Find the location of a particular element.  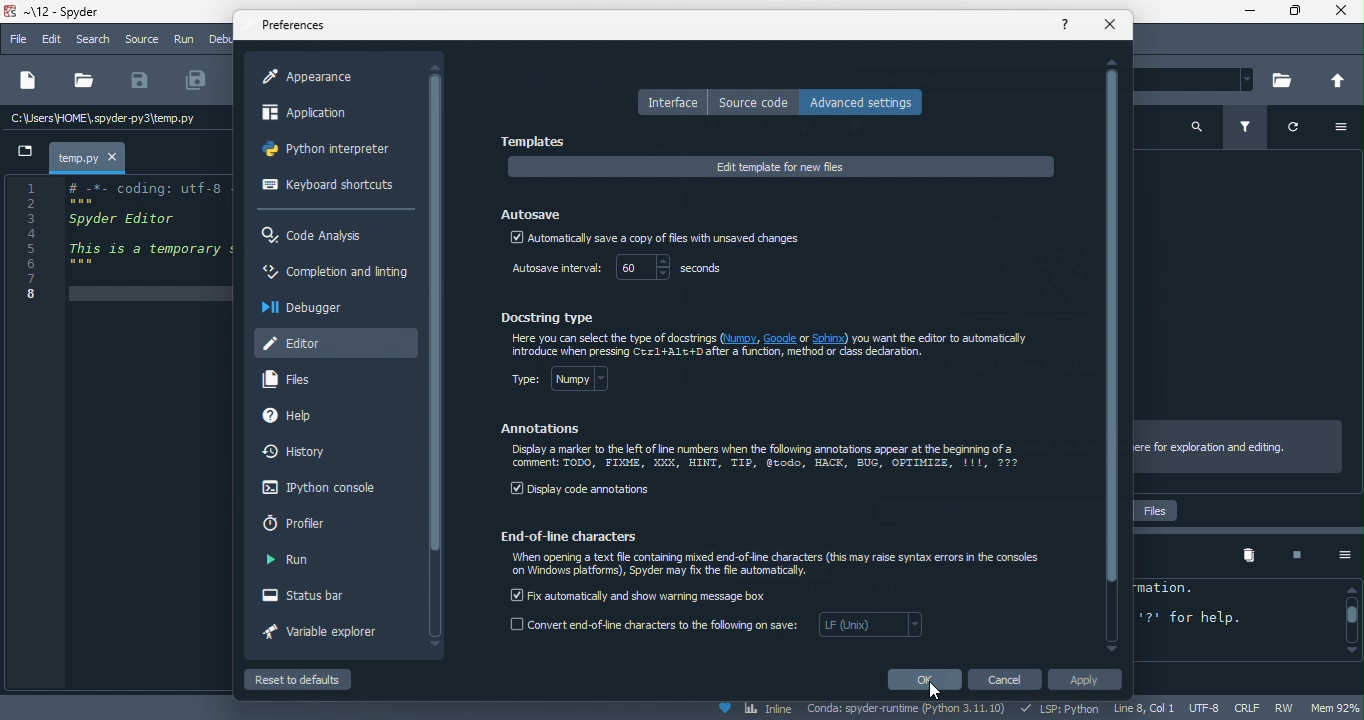

debug is located at coordinates (220, 38).